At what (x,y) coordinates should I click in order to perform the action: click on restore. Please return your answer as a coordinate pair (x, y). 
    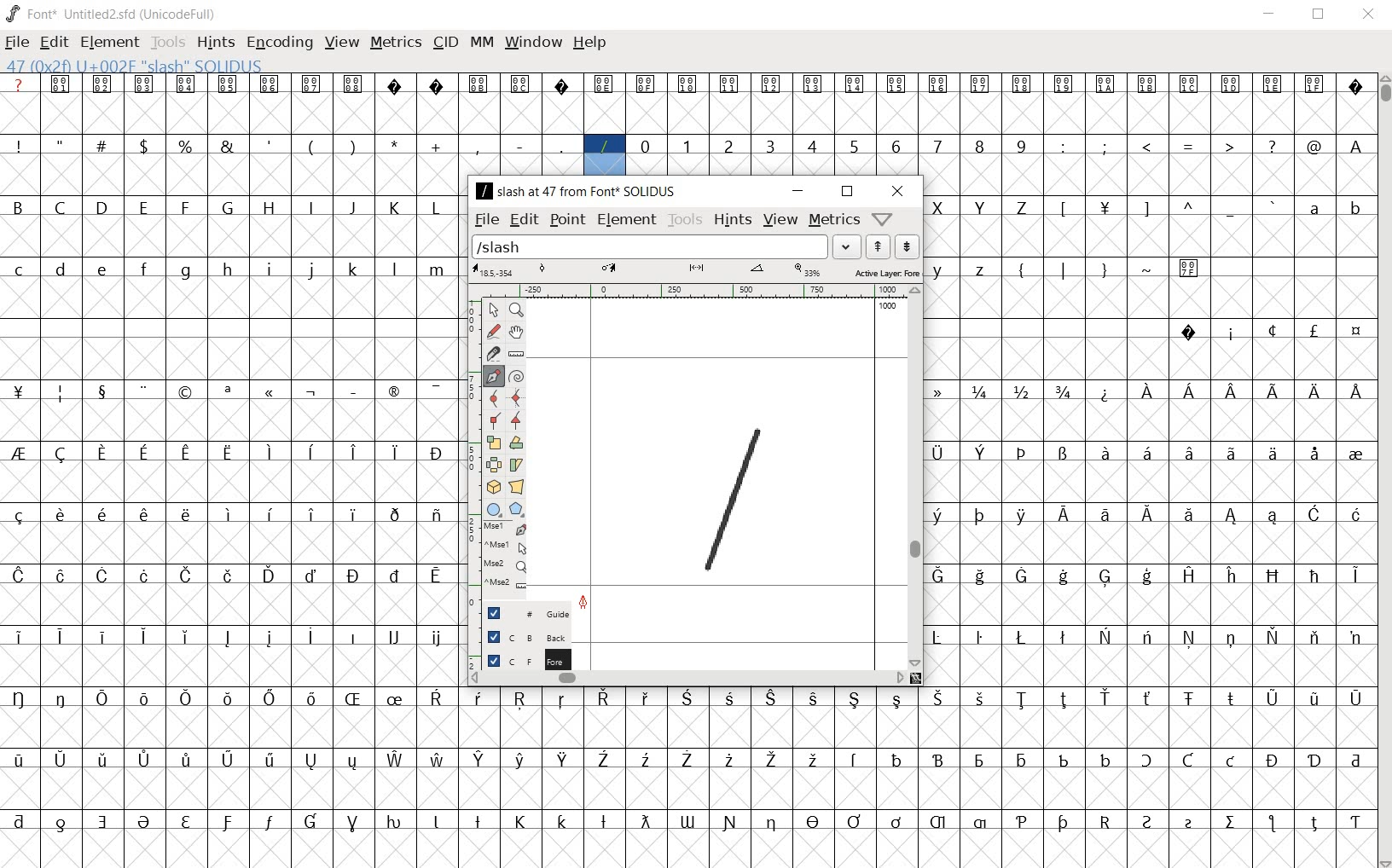
    Looking at the image, I should click on (847, 192).